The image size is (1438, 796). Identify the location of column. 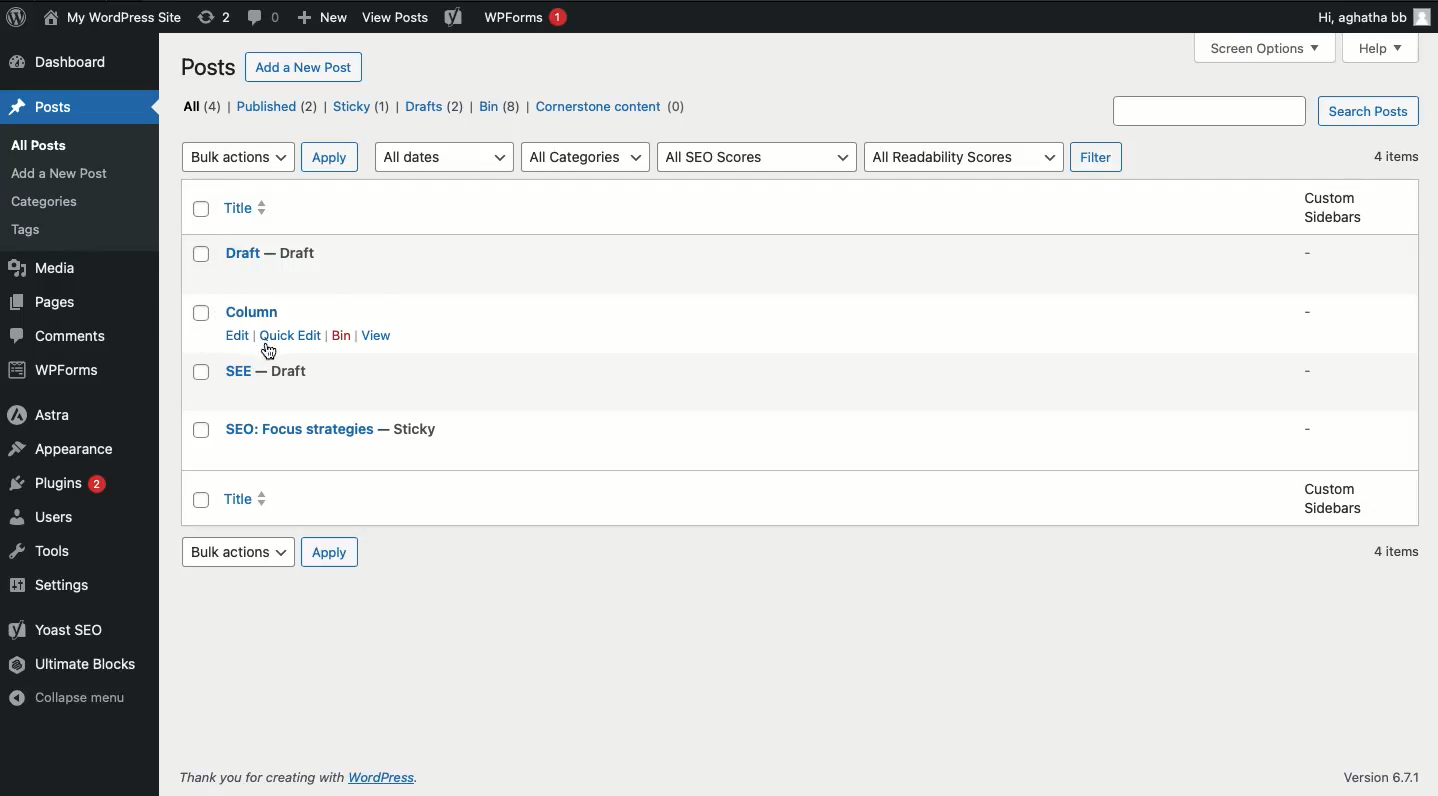
(255, 310).